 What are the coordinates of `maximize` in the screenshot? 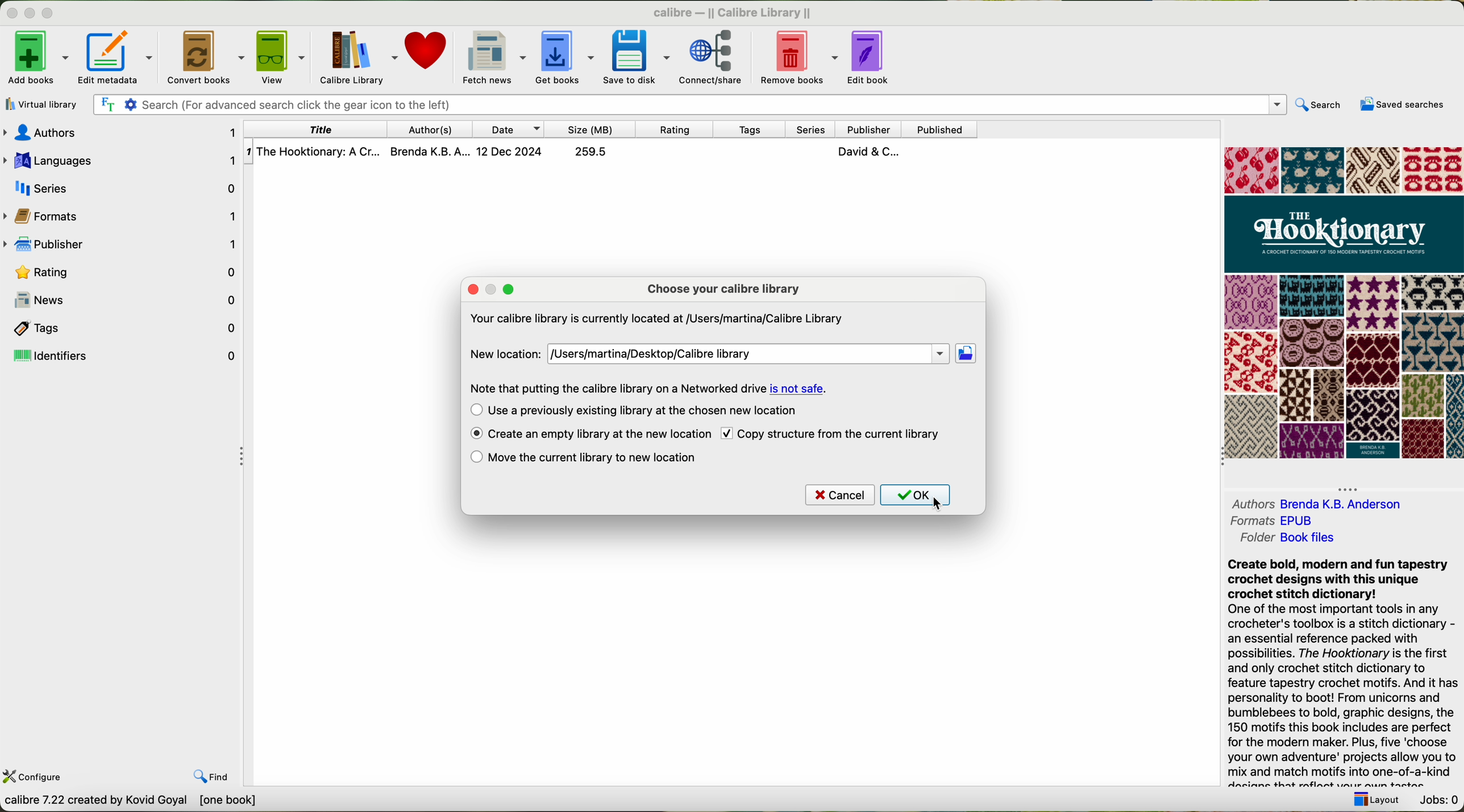 It's located at (48, 13).